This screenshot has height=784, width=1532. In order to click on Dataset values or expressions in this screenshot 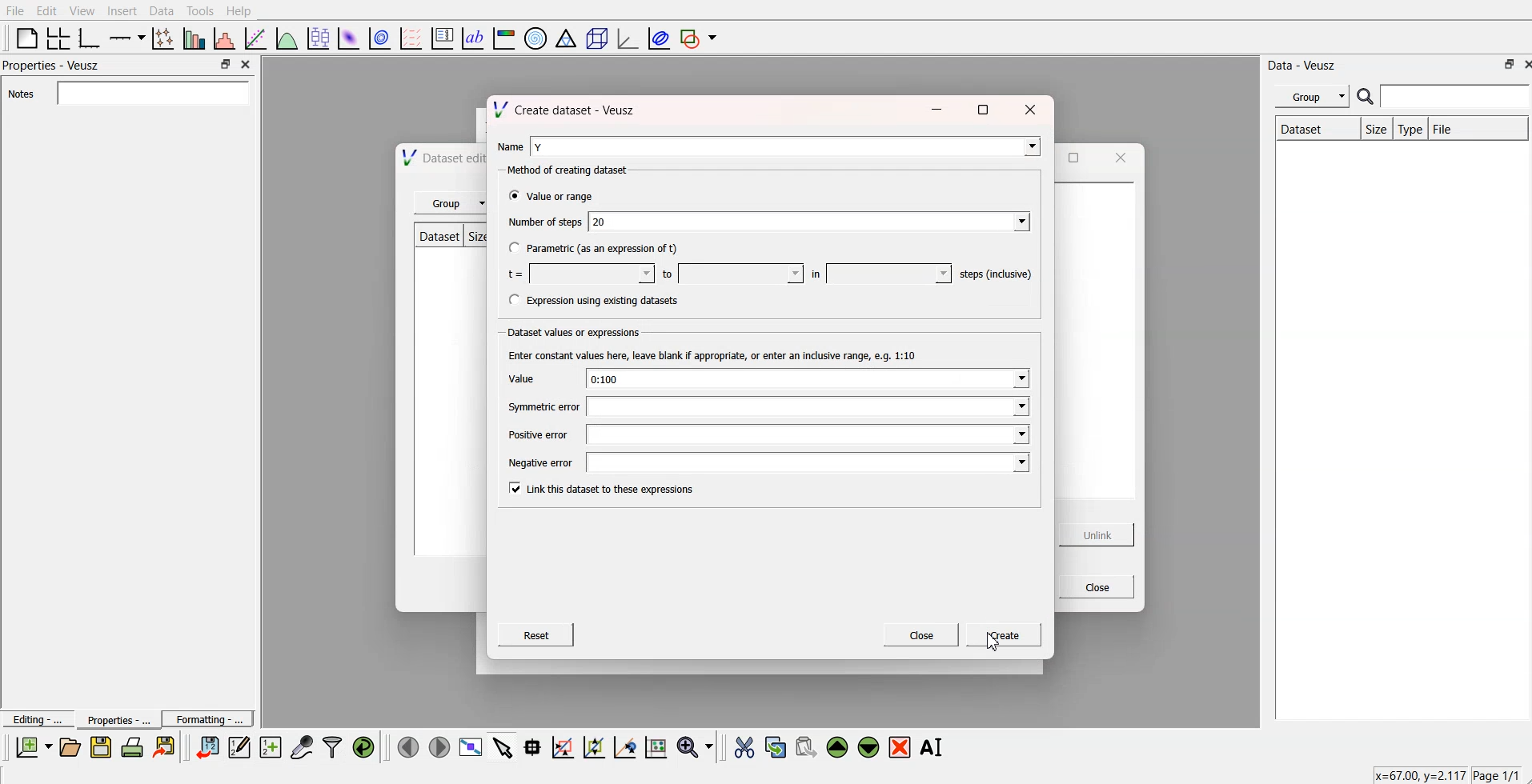, I will do `click(571, 331)`.